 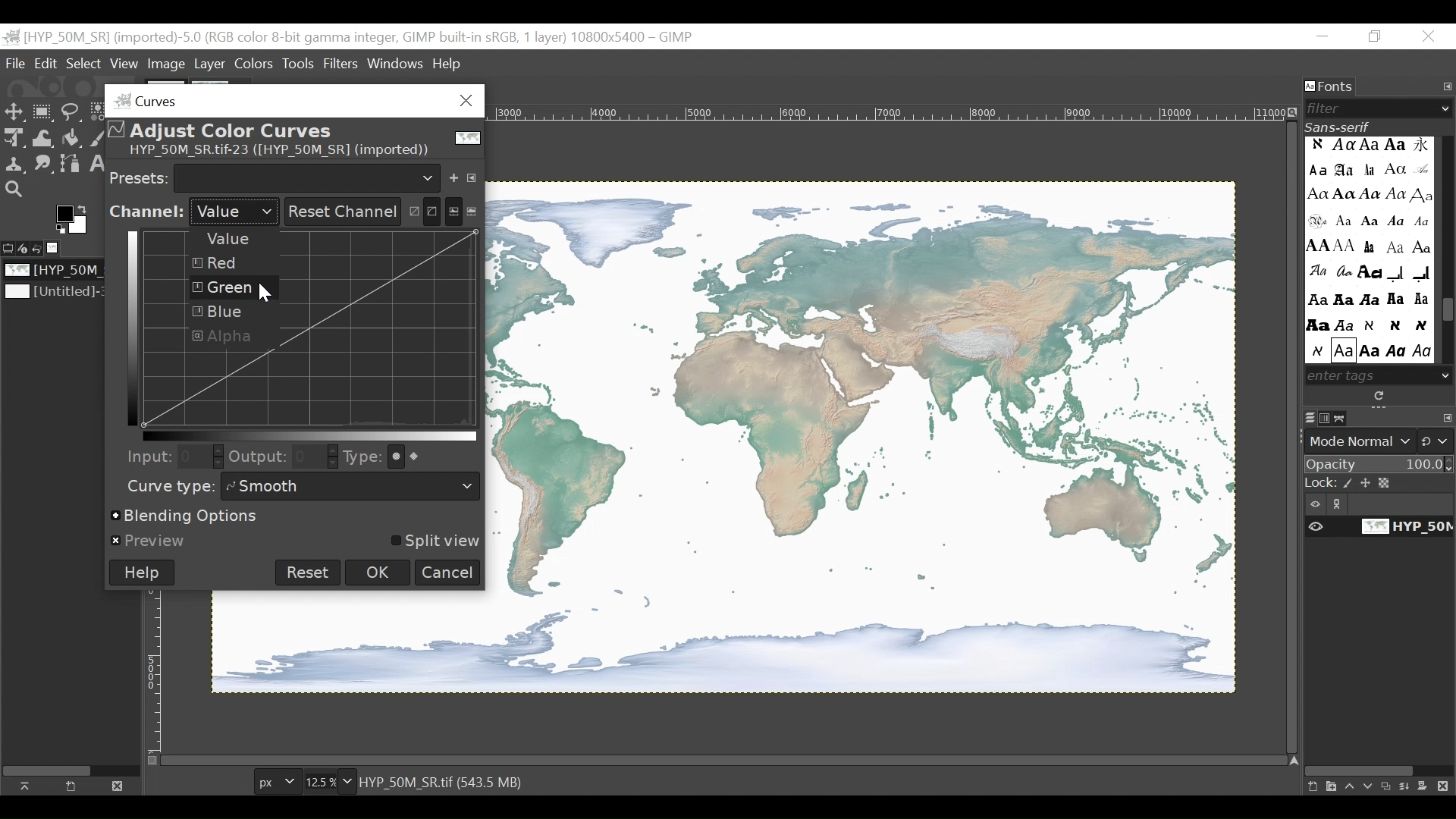 What do you see at coordinates (422, 209) in the screenshot?
I see `Adjust curves` at bounding box center [422, 209].